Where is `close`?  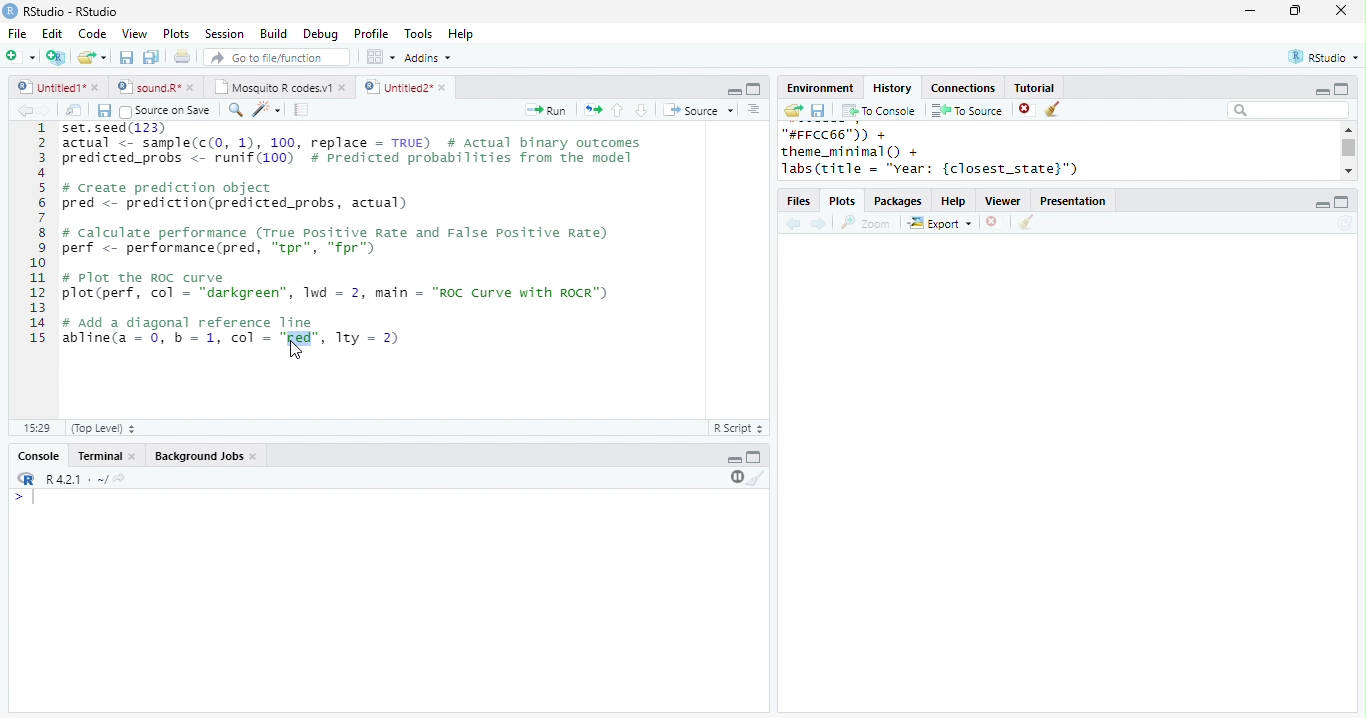 close is located at coordinates (1342, 10).